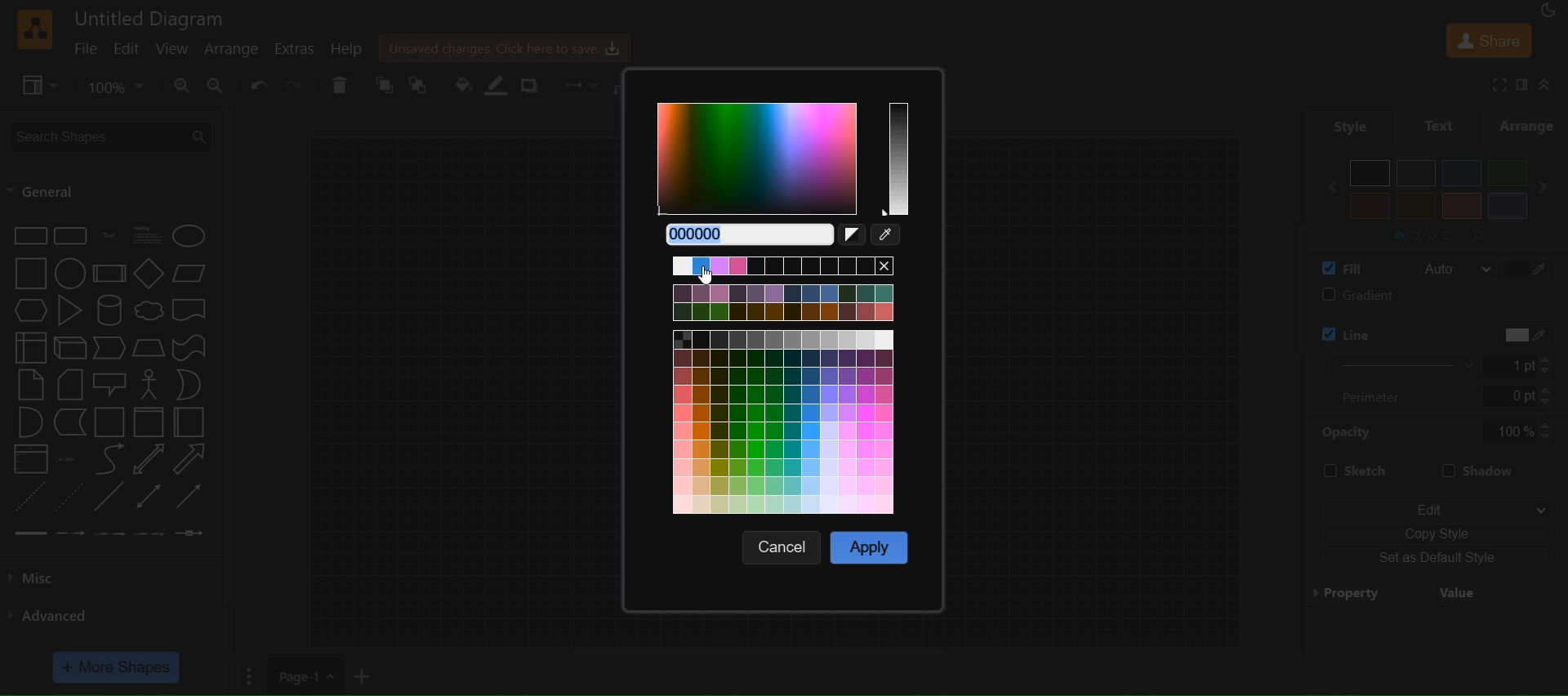 This screenshot has width=1568, height=696. What do you see at coordinates (1437, 532) in the screenshot?
I see `copy style` at bounding box center [1437, 532].